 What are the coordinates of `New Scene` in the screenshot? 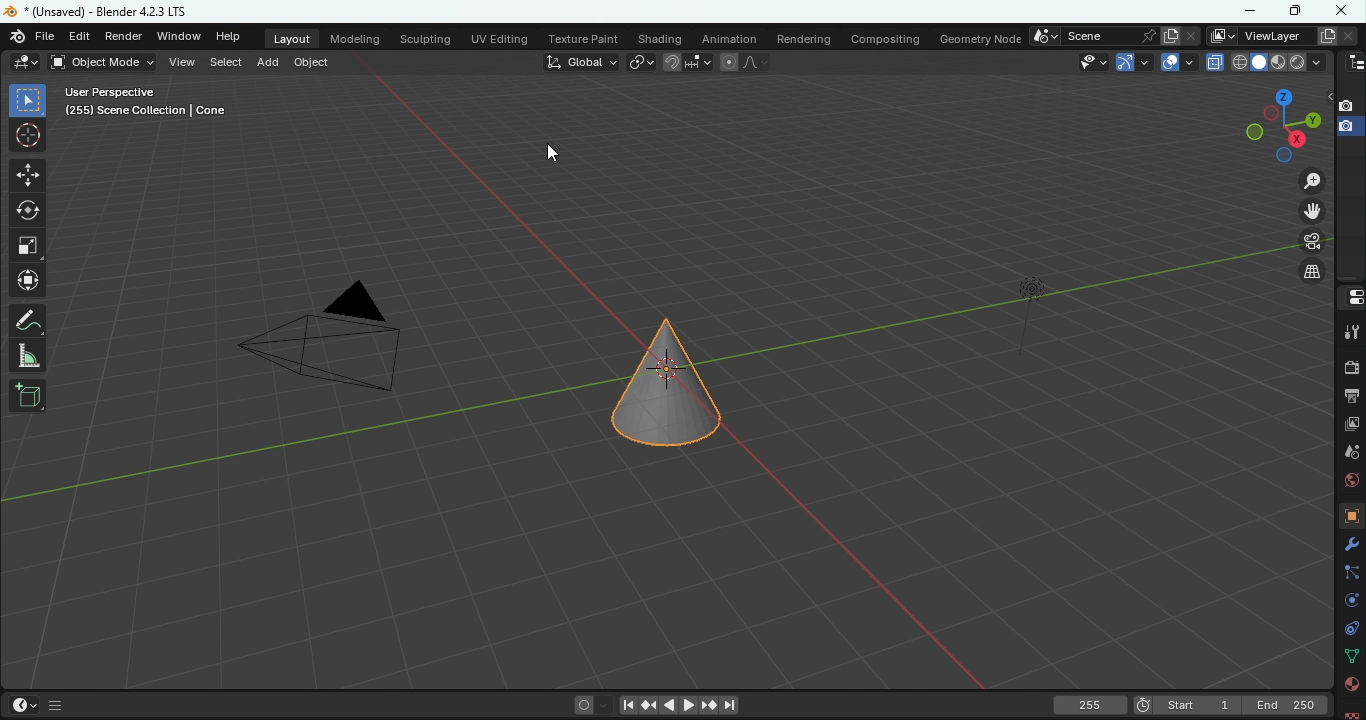 It's located at (1170, 35).